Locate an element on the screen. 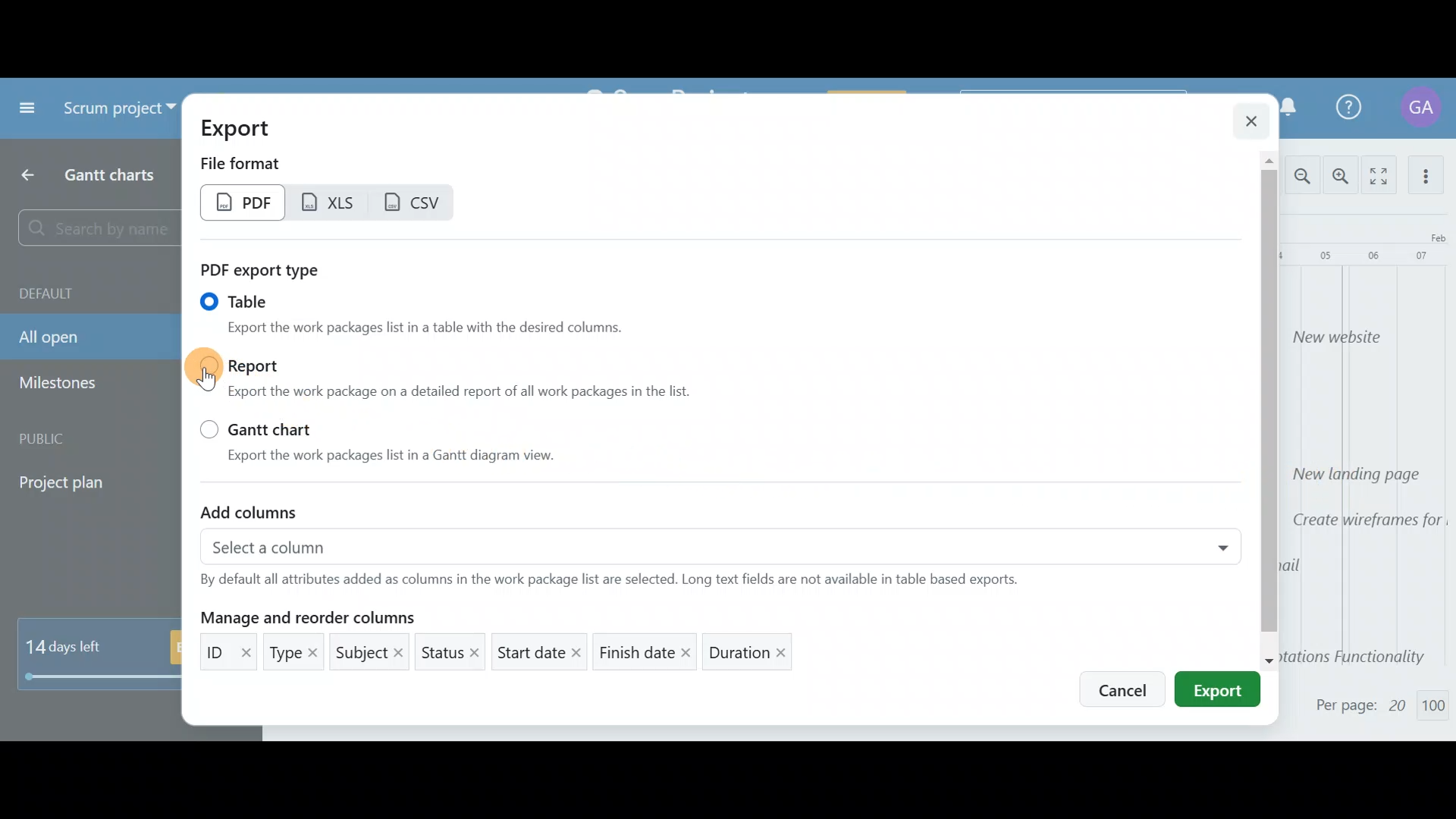 Image resolution: width=1456 pixels, height=819 pixels. Export the work package on a detailed report of all work packages in the list. is located at coordinates (466, 397).